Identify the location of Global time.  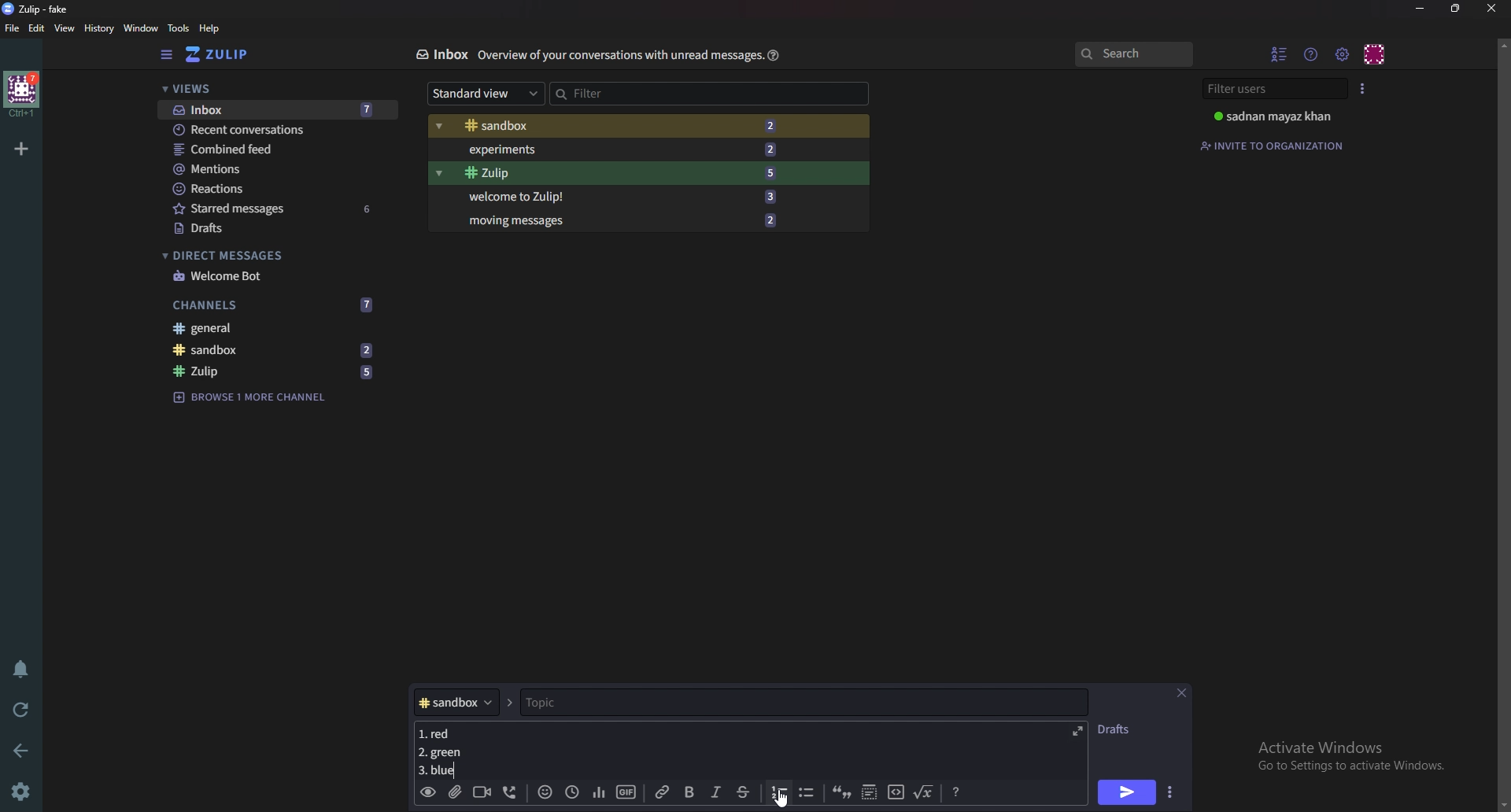
(571, 791).